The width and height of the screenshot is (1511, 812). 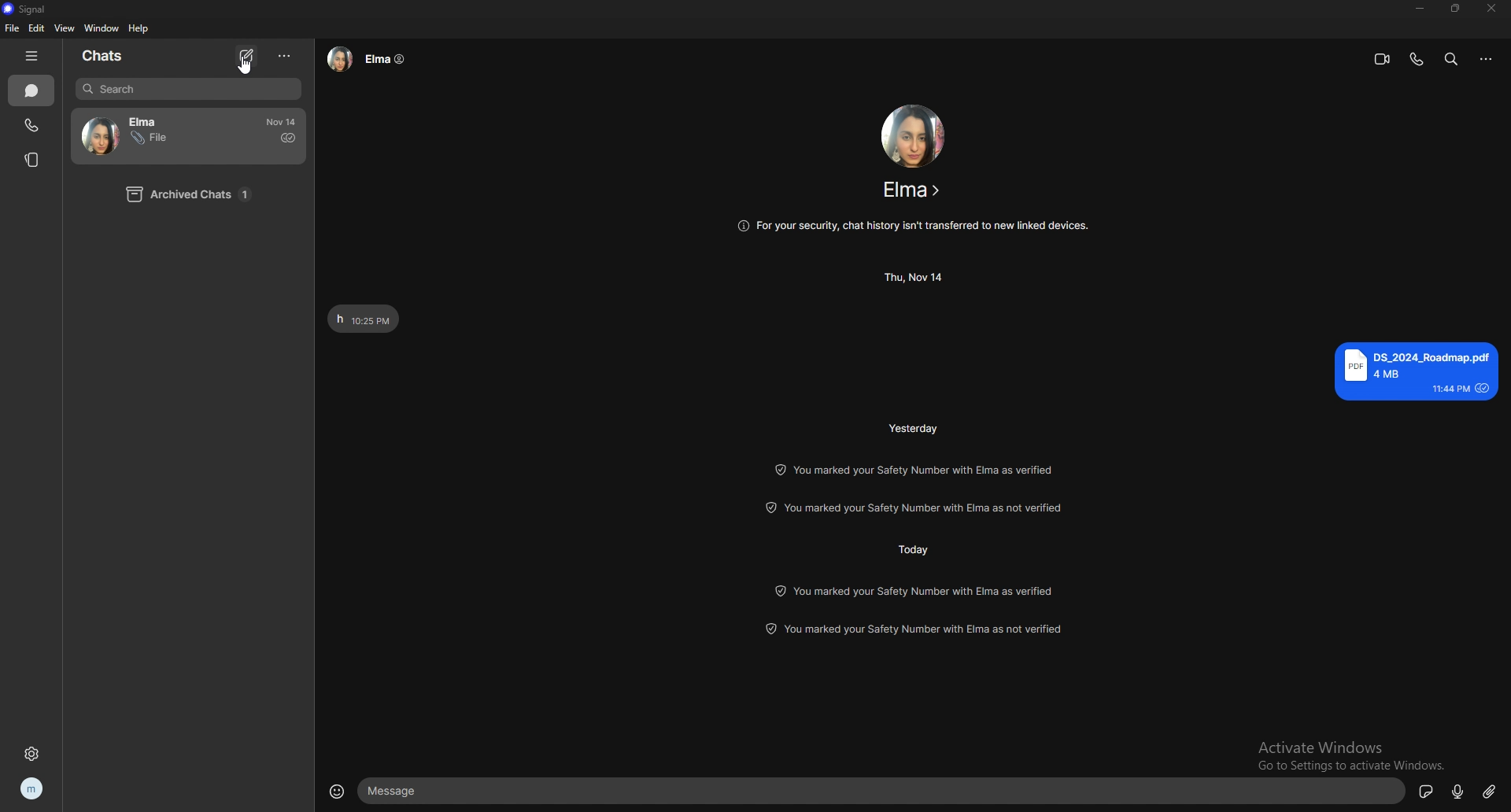 What do you see at coordinates (243, 68) in the screenshot?
I see `cursor` at bounding box center [243, 68].